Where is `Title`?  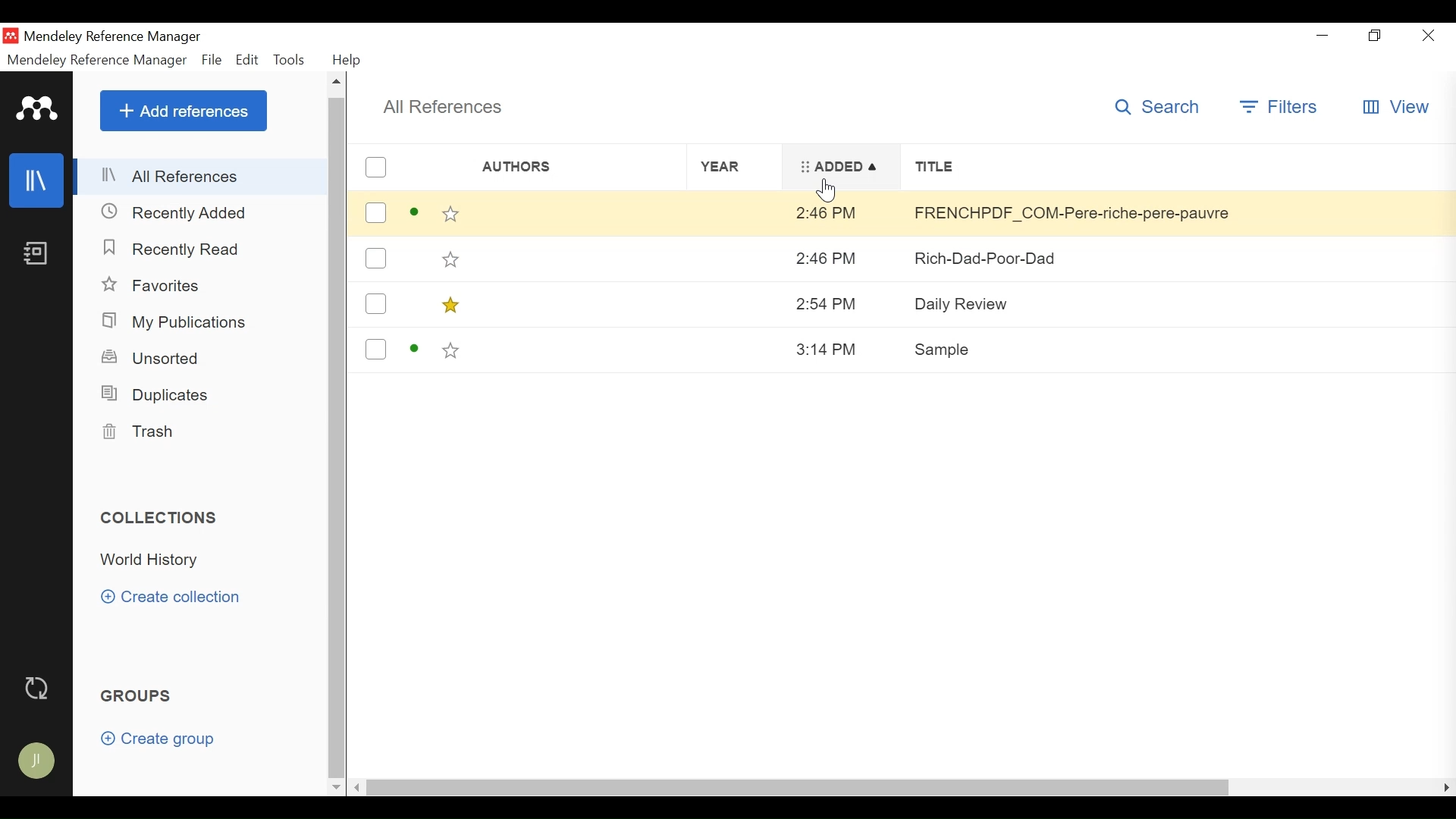
Title is located at coordinates (1173, 166).